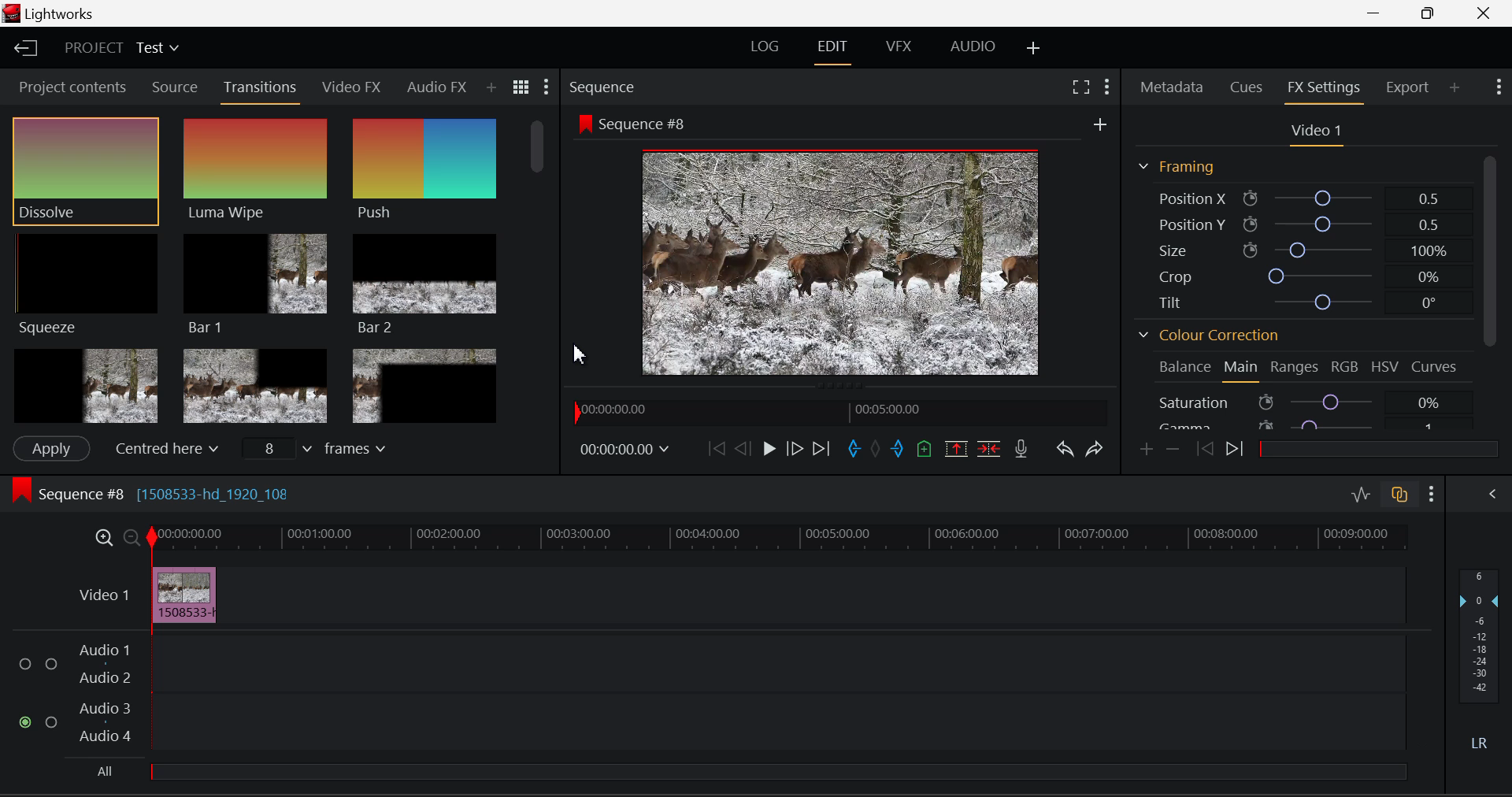  Describe the element at coordinates (1301, 427) in the screenshot. I see `Gamma` at that location.